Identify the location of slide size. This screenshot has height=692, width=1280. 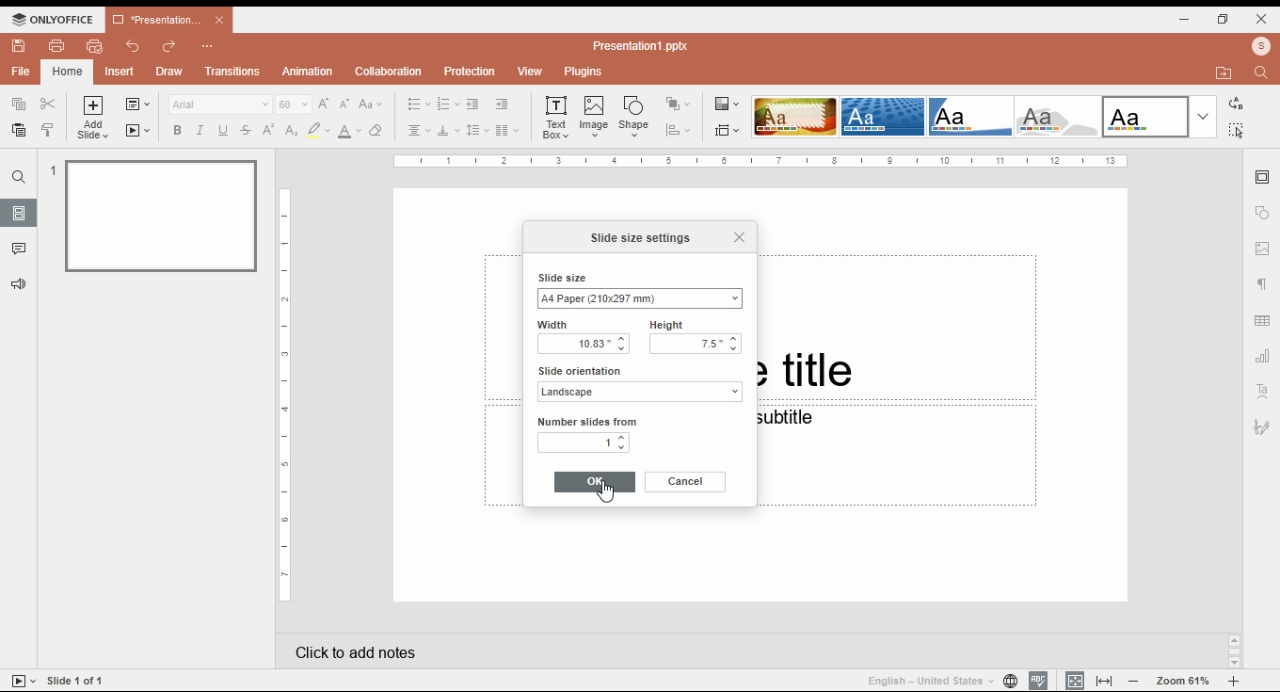
(560, 279).